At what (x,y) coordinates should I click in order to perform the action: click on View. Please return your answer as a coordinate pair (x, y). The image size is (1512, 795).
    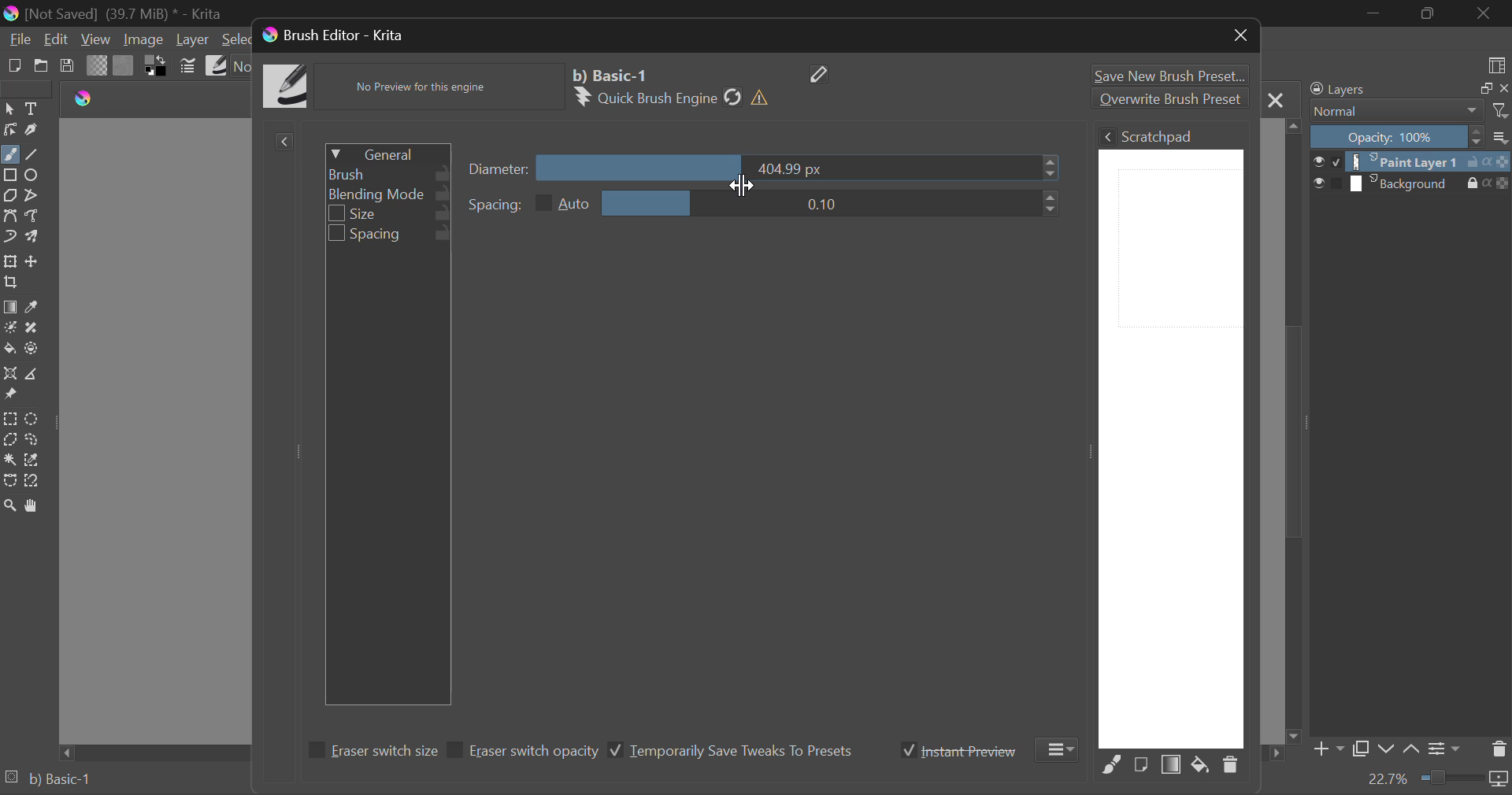
    Looking at the image, I should click on (96, 39).